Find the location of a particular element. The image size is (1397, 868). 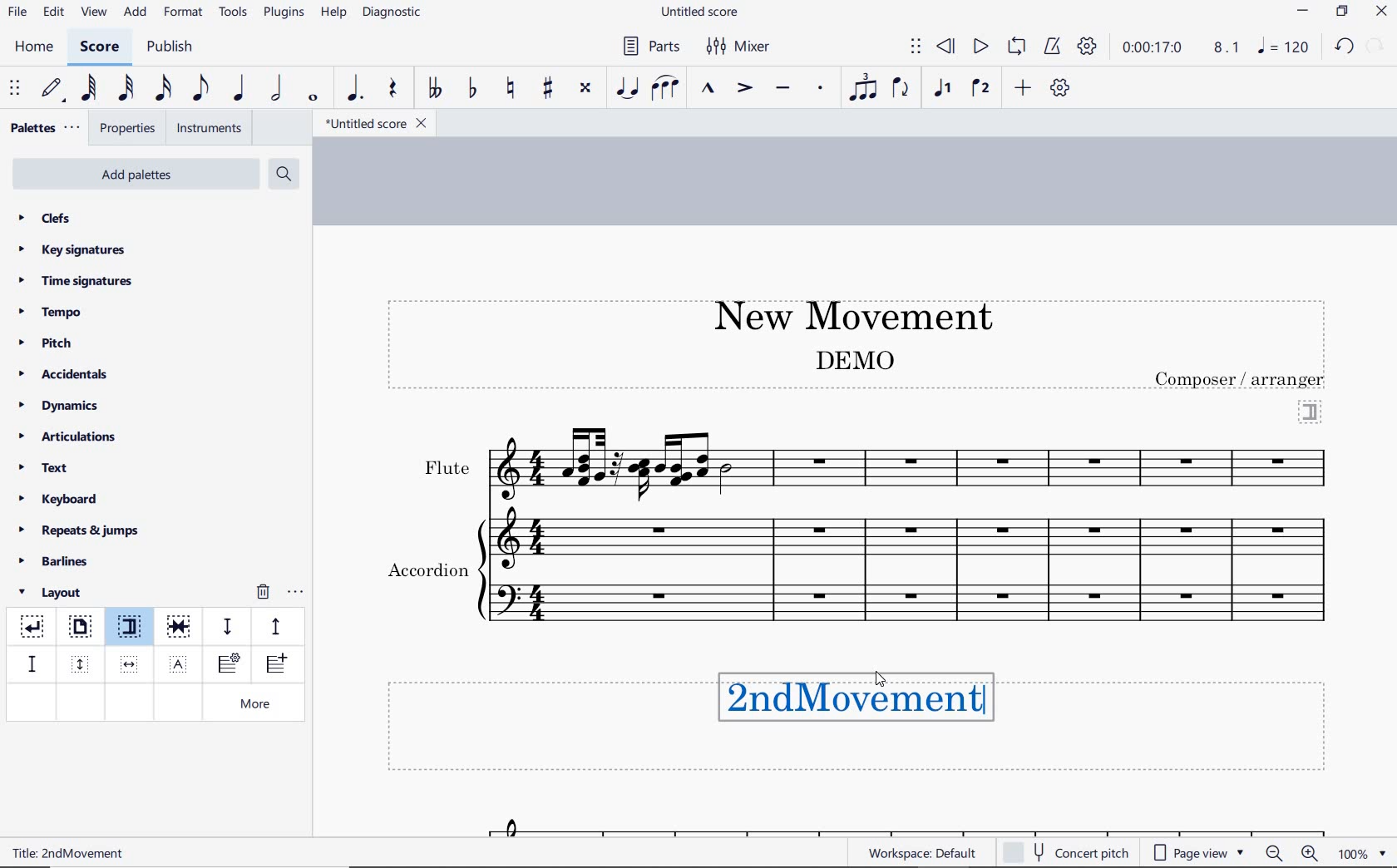

insert vertical frame is located at coordinates (82, 663).